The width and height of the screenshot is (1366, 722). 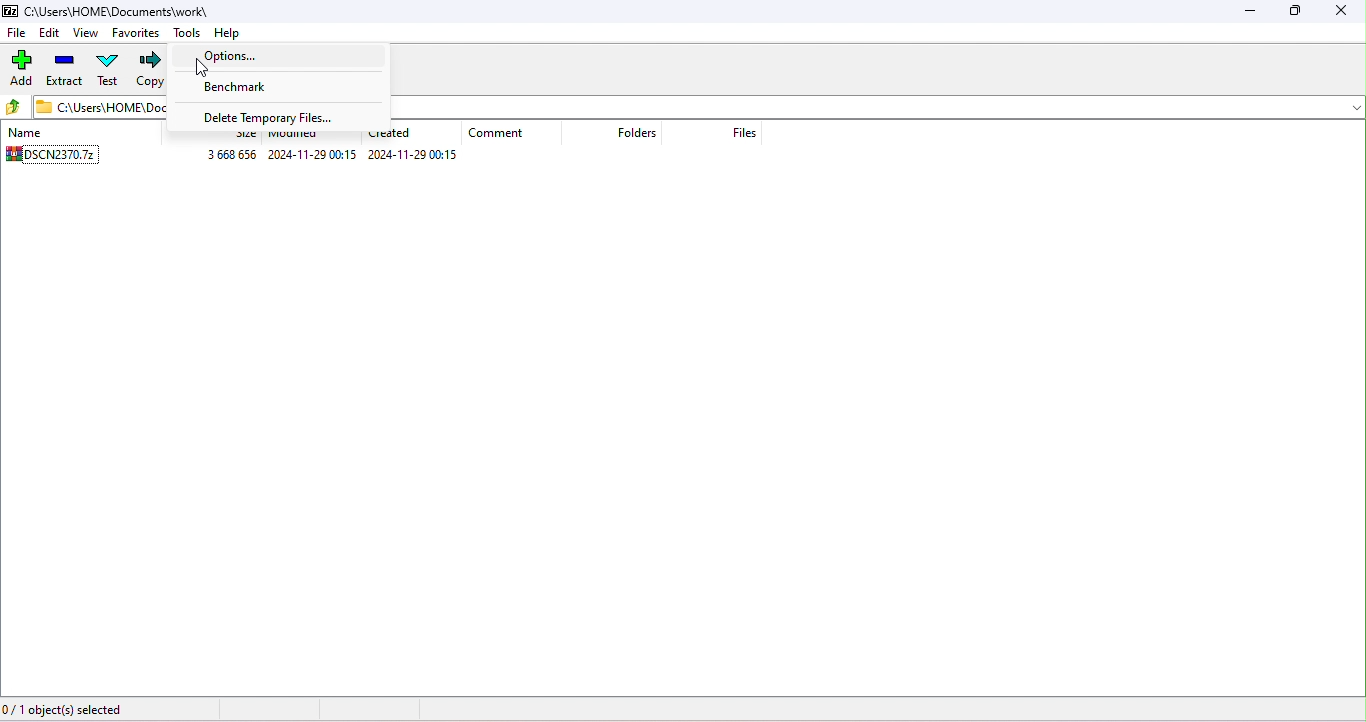 What do you see at coordinates (20, 69) in the screenshot?
I see `add` at bounding box center [20, 69].